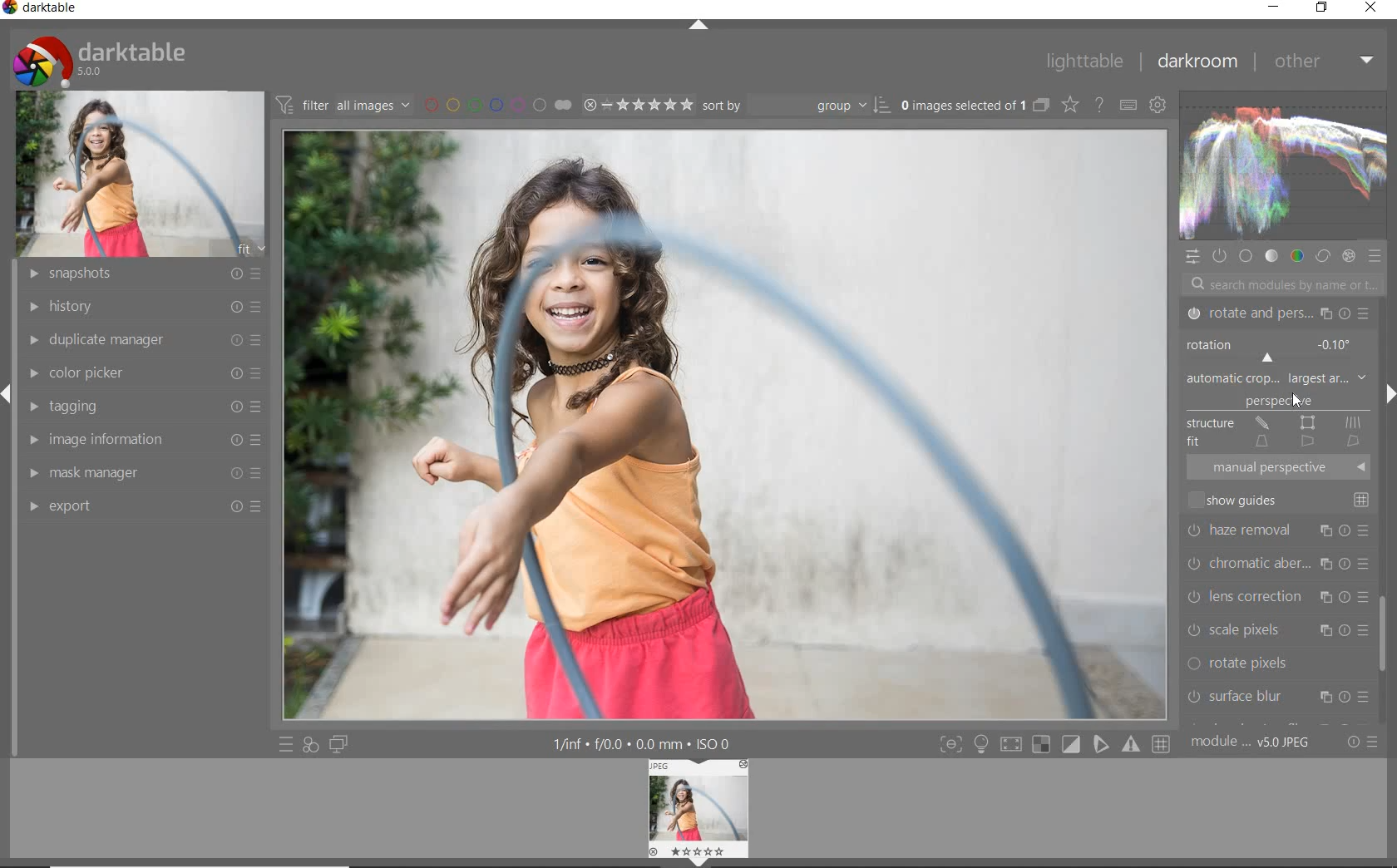 The height and width of the screenshot is (868, 1397). I want to click on SHOW GUIDES, so click(1282, 500).